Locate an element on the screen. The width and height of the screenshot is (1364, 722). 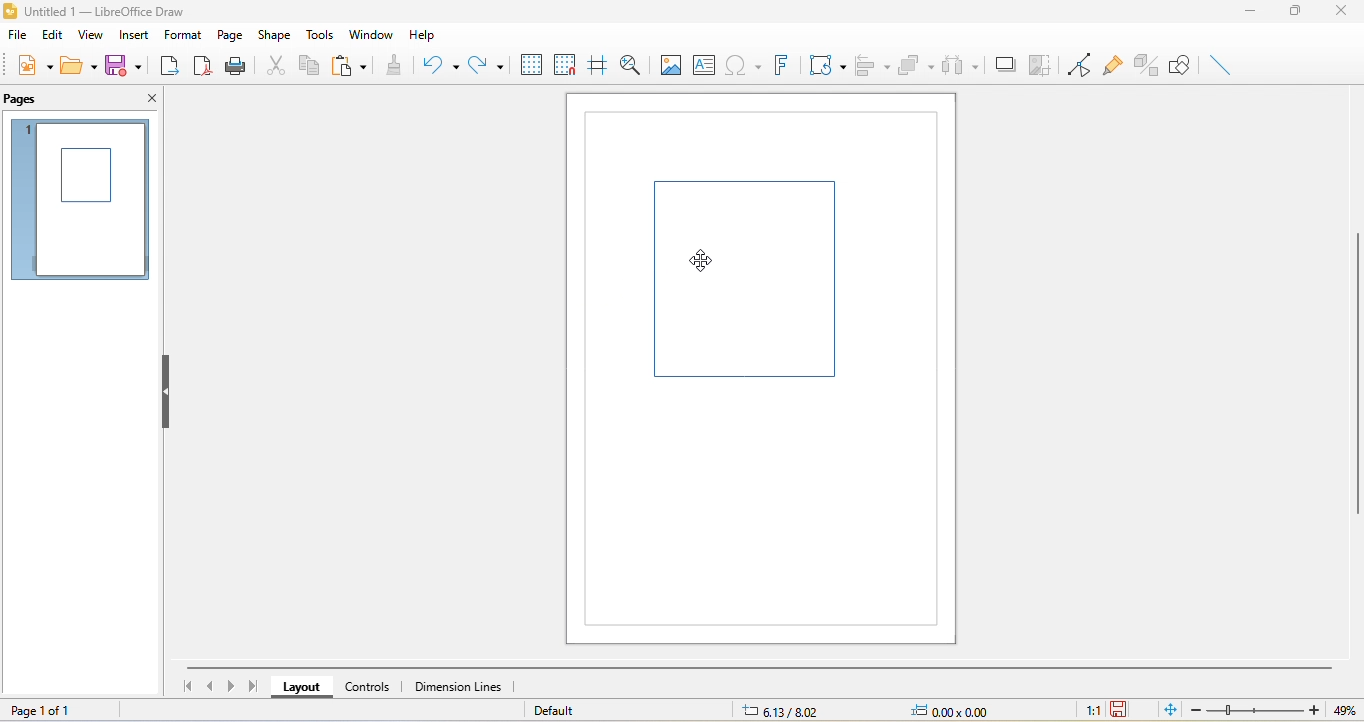
copy is located at coordinates (309, 64).